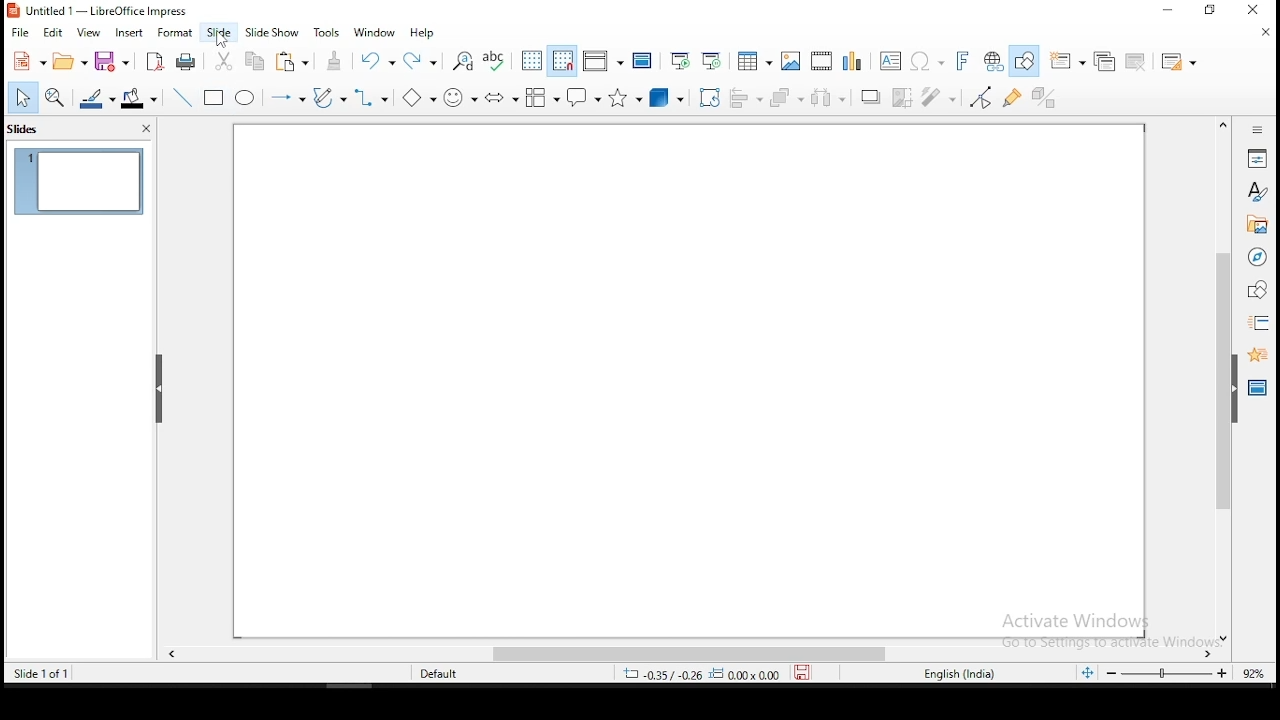  Describe the element at coordinates (661, 673) in the screenshot. I see `-0.35/-0.26` at that location.